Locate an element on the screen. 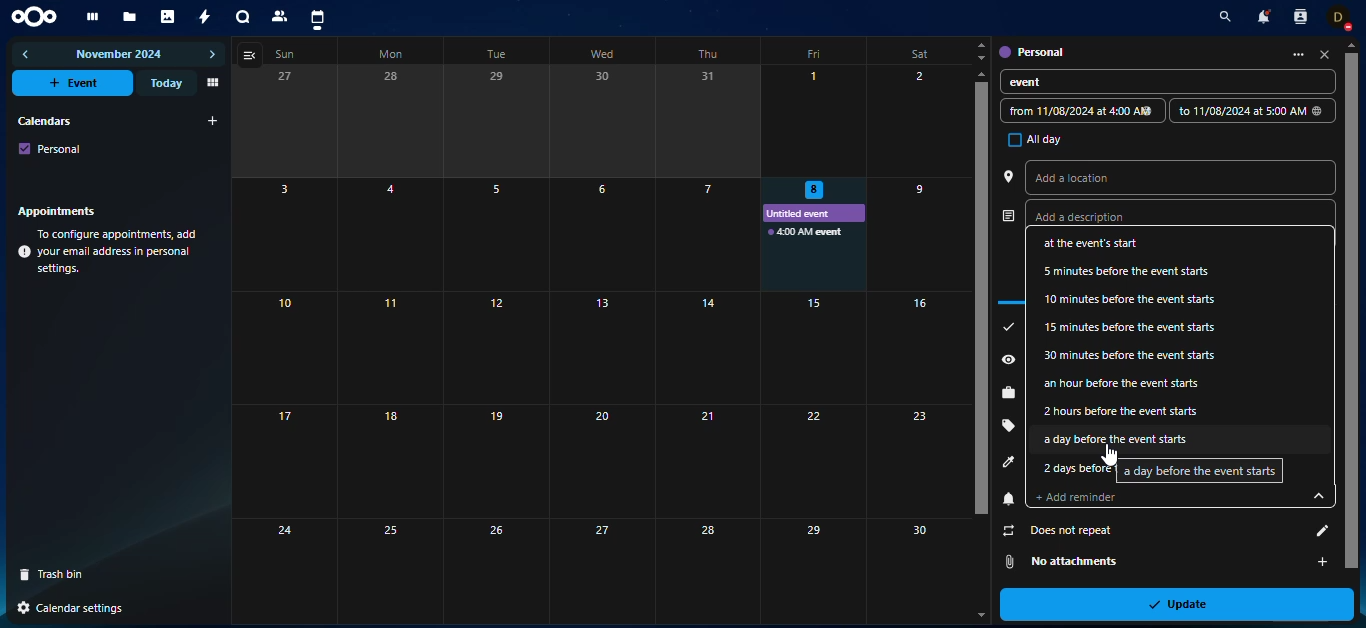 The width and height of the screenshot is (1366, 628). 3 is located at coordinates (285, 235).